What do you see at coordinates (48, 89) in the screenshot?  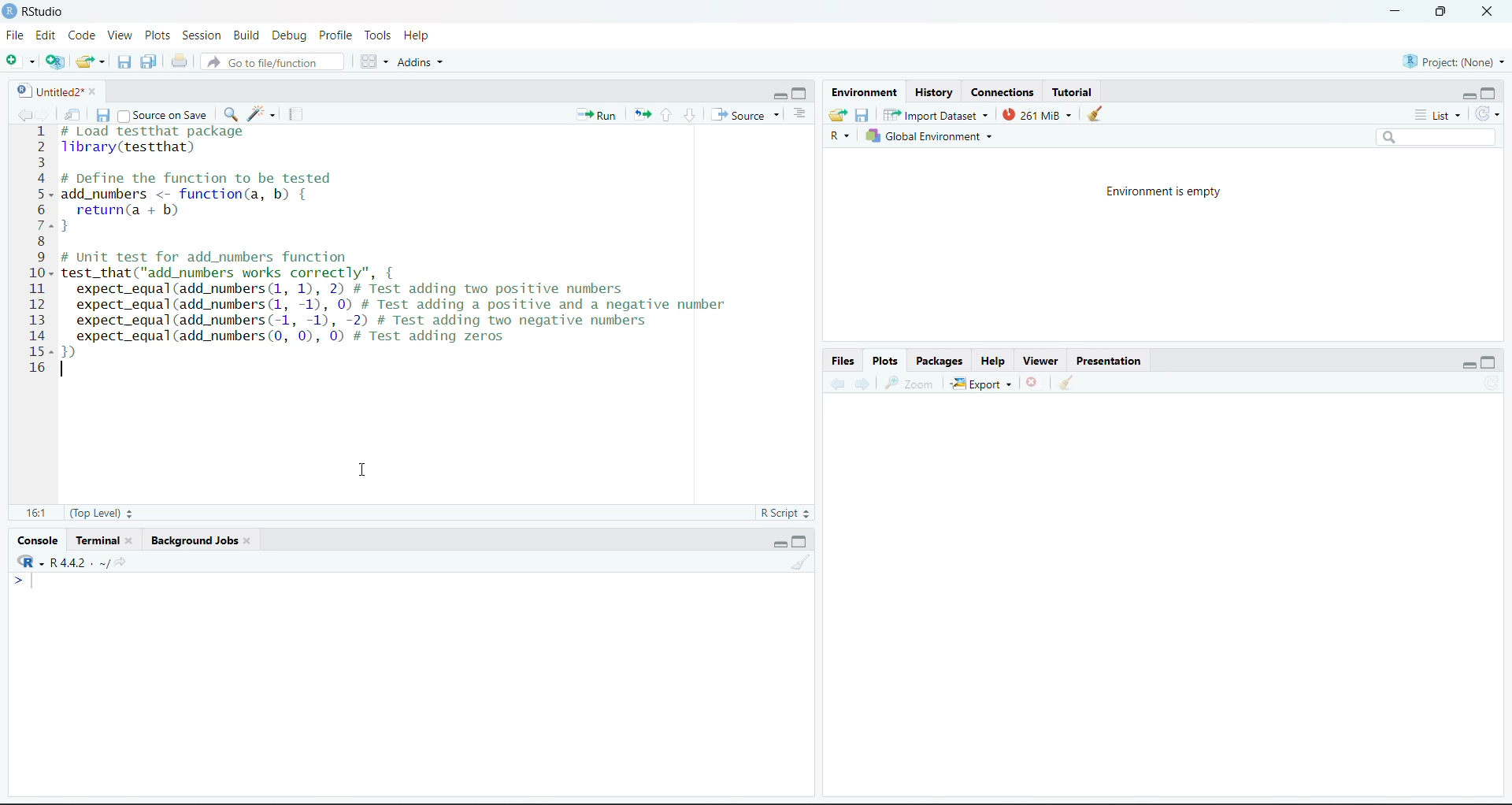 I see `Untitled2*` at bounding box center [48, 89].